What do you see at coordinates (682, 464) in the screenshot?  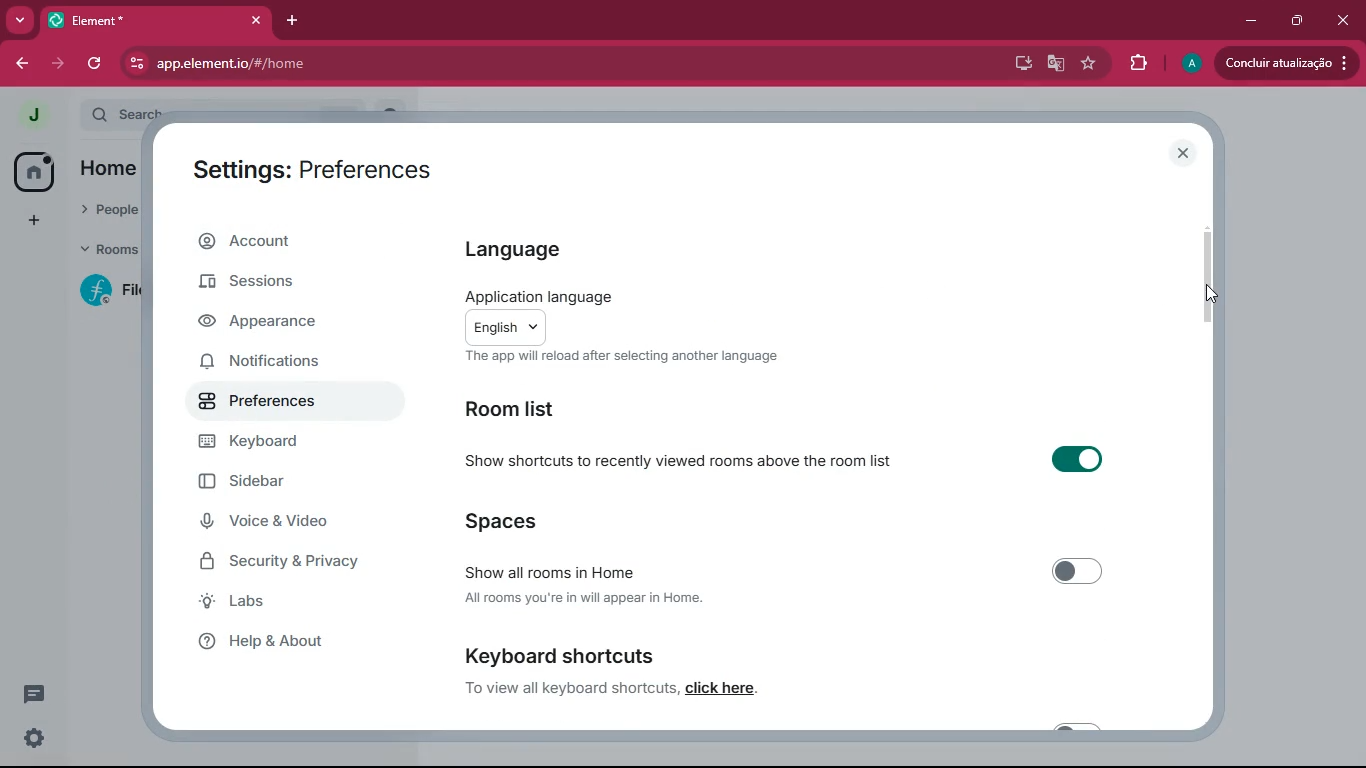 I see `Show shortcuts to recently viewed rooms above the room list` at bounding box center [682, 464].